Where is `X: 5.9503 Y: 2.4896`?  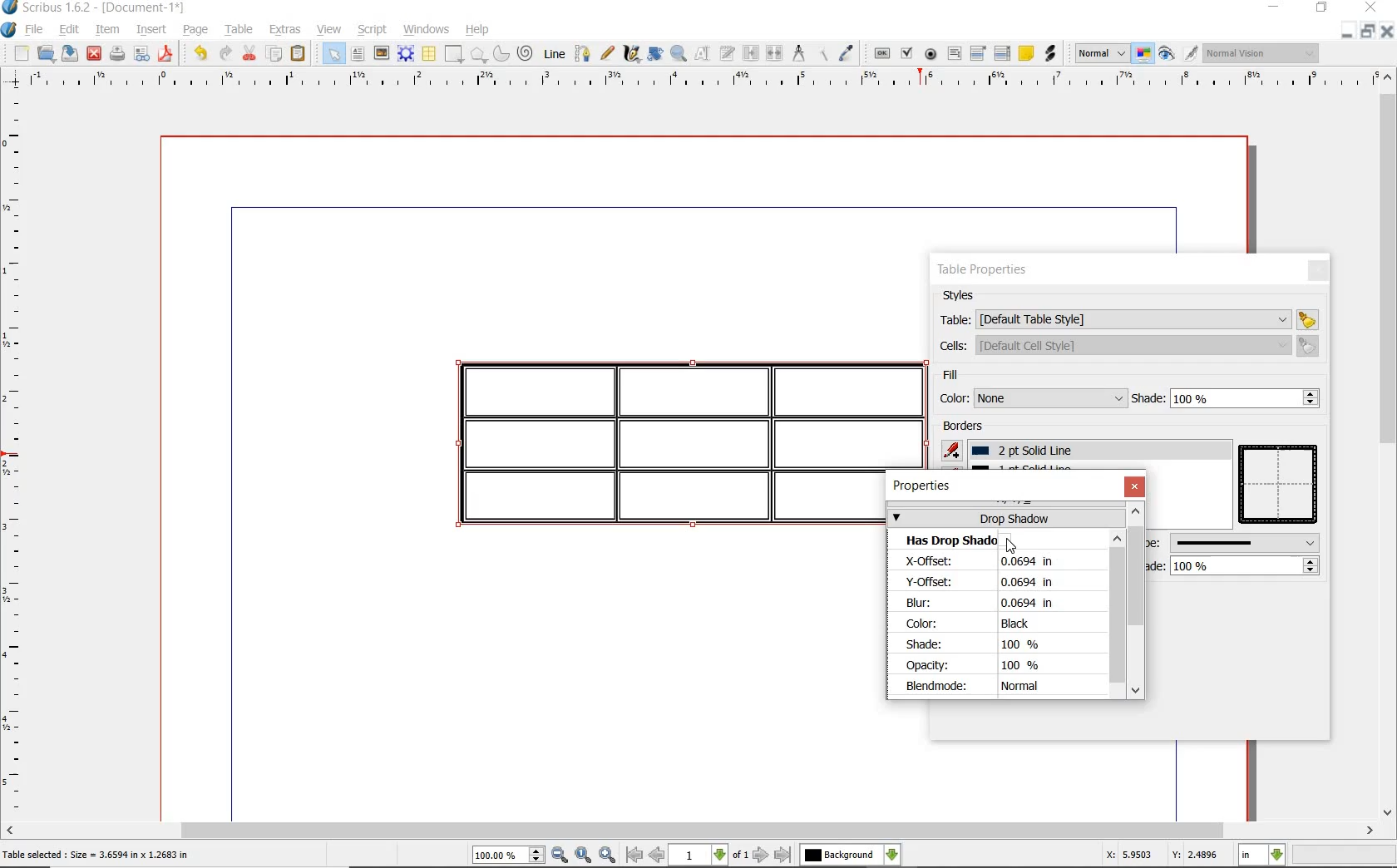 X: 5.9503 Y: 2.4896 is located at coordinates (1160, 856).